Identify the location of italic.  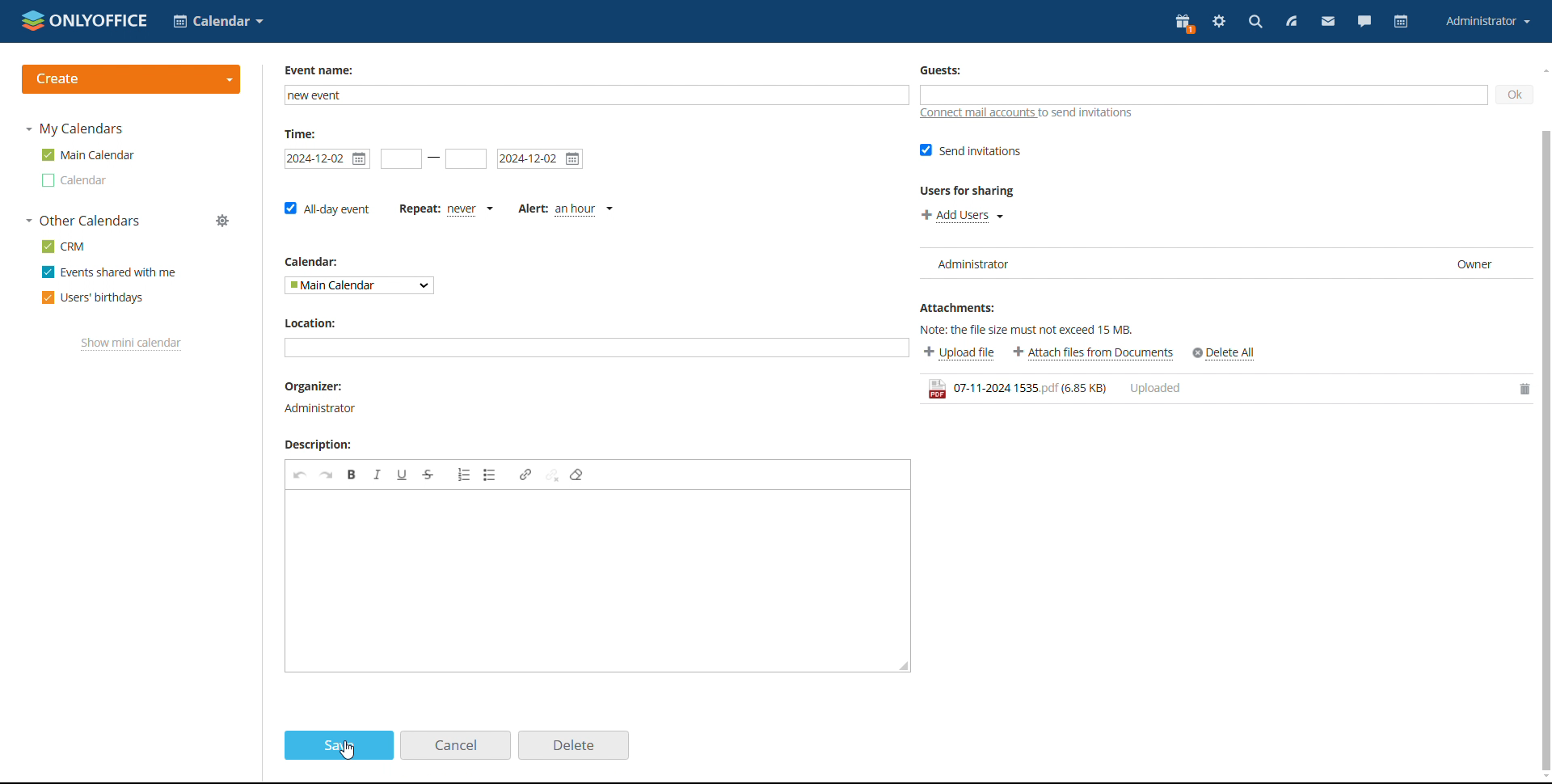
(379, 474).